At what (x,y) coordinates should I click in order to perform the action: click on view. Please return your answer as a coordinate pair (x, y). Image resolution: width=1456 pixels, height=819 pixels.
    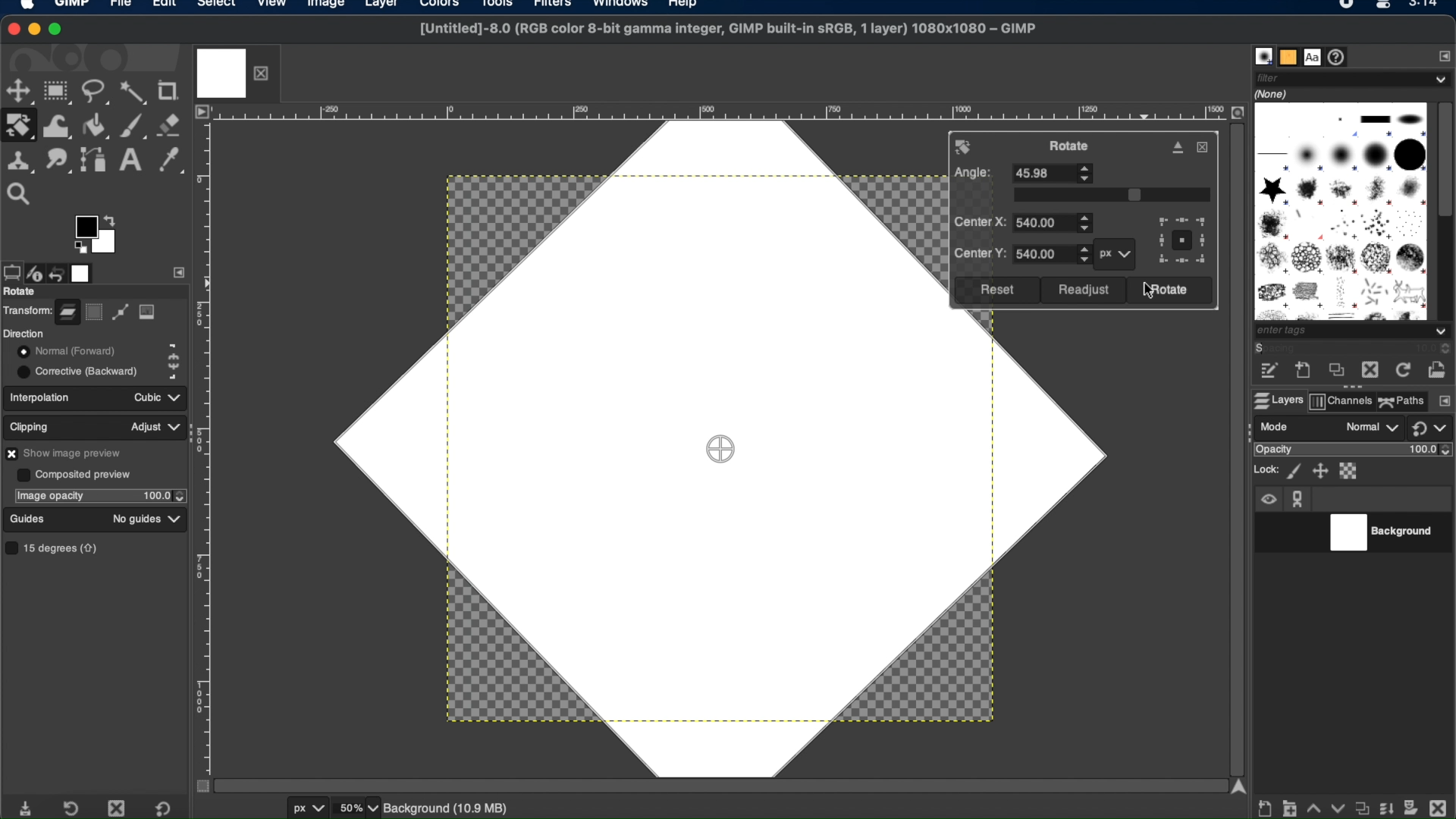
    Looking at the image, I should click on (272, 6).